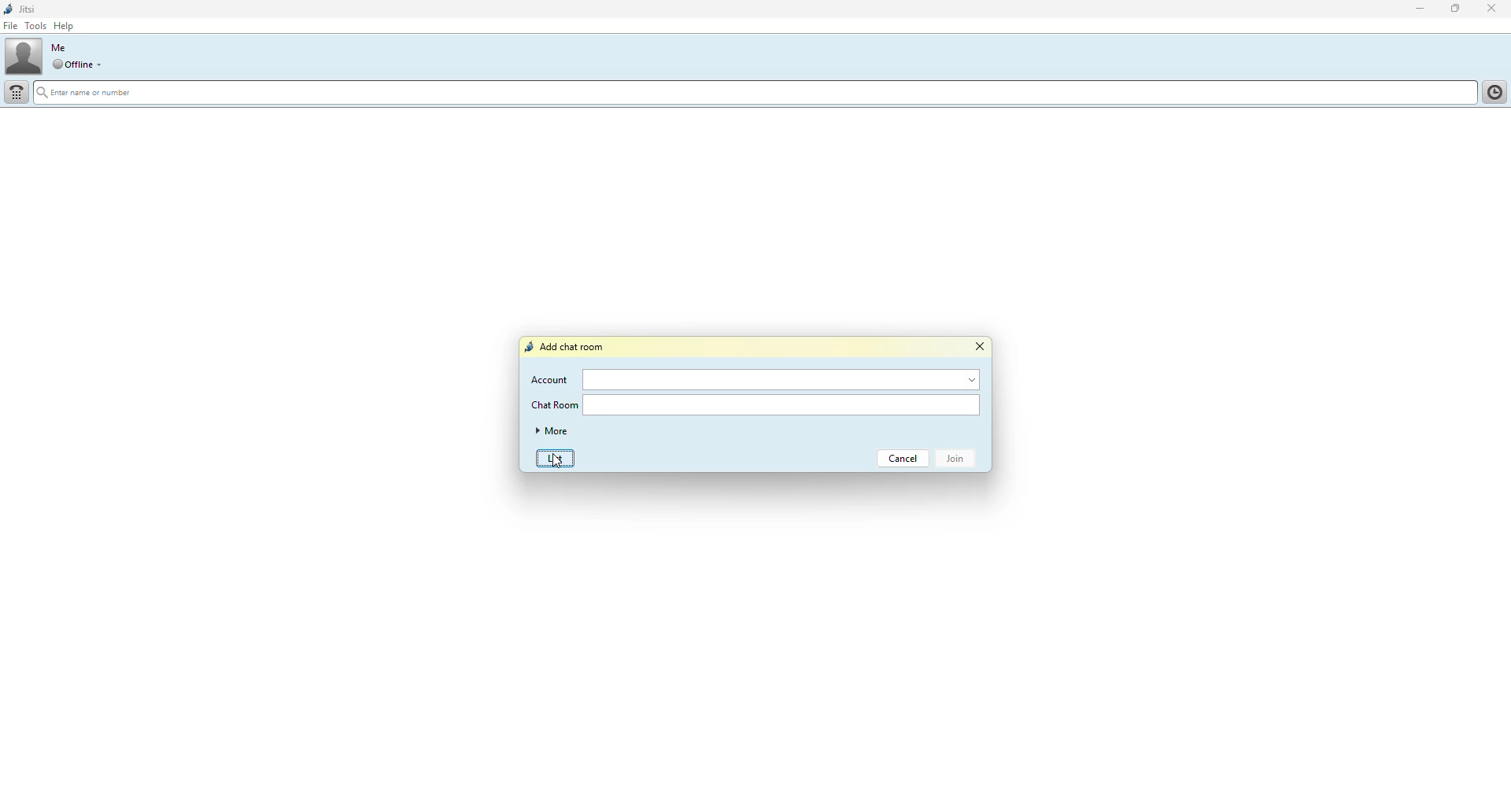 This screenshot has height=812, width=1511. Describe the element at coordinates (17, 92) in the screenshot. I see `dial pad` at that location.